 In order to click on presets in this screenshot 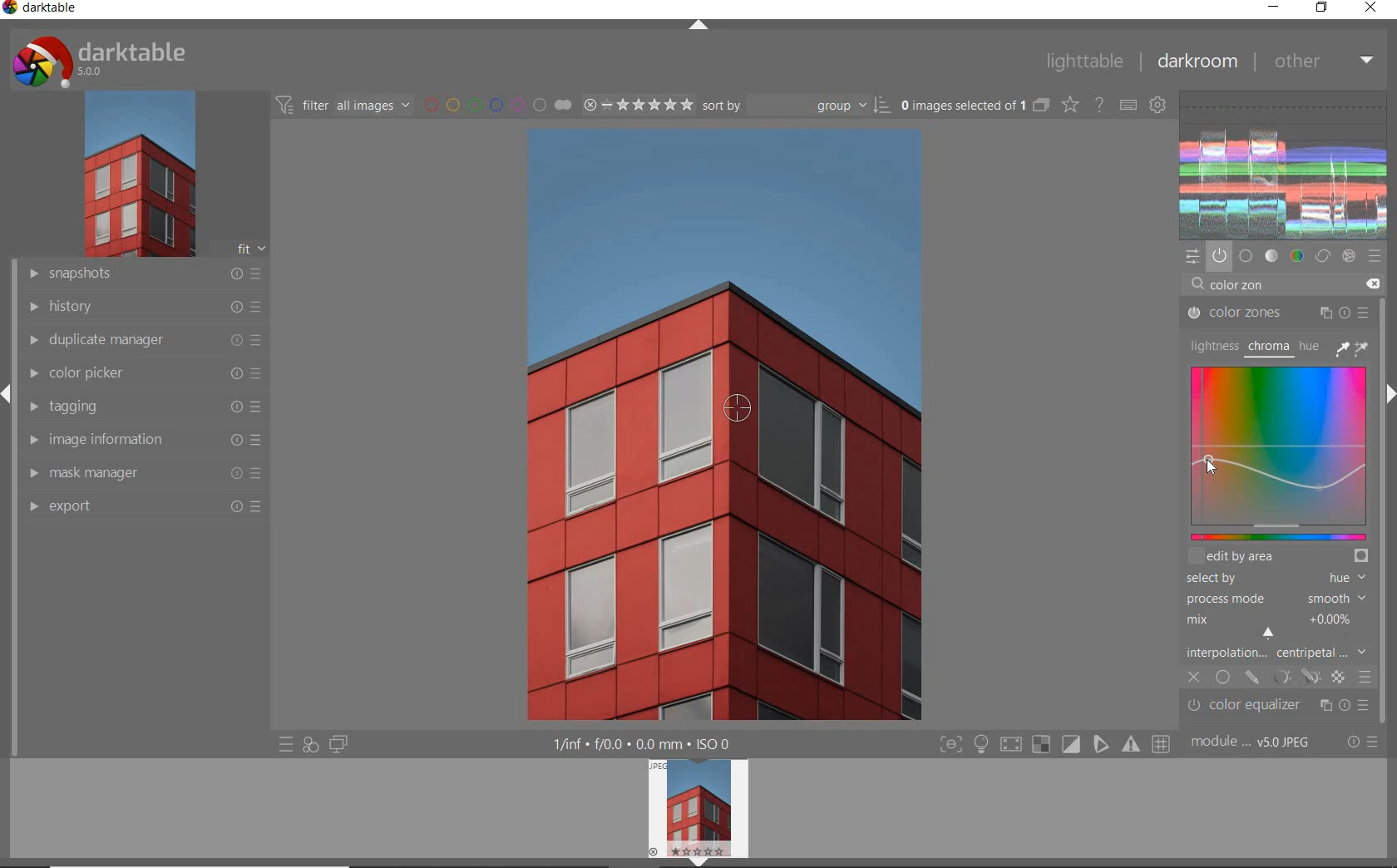, I will do `click(1375, 254)`.